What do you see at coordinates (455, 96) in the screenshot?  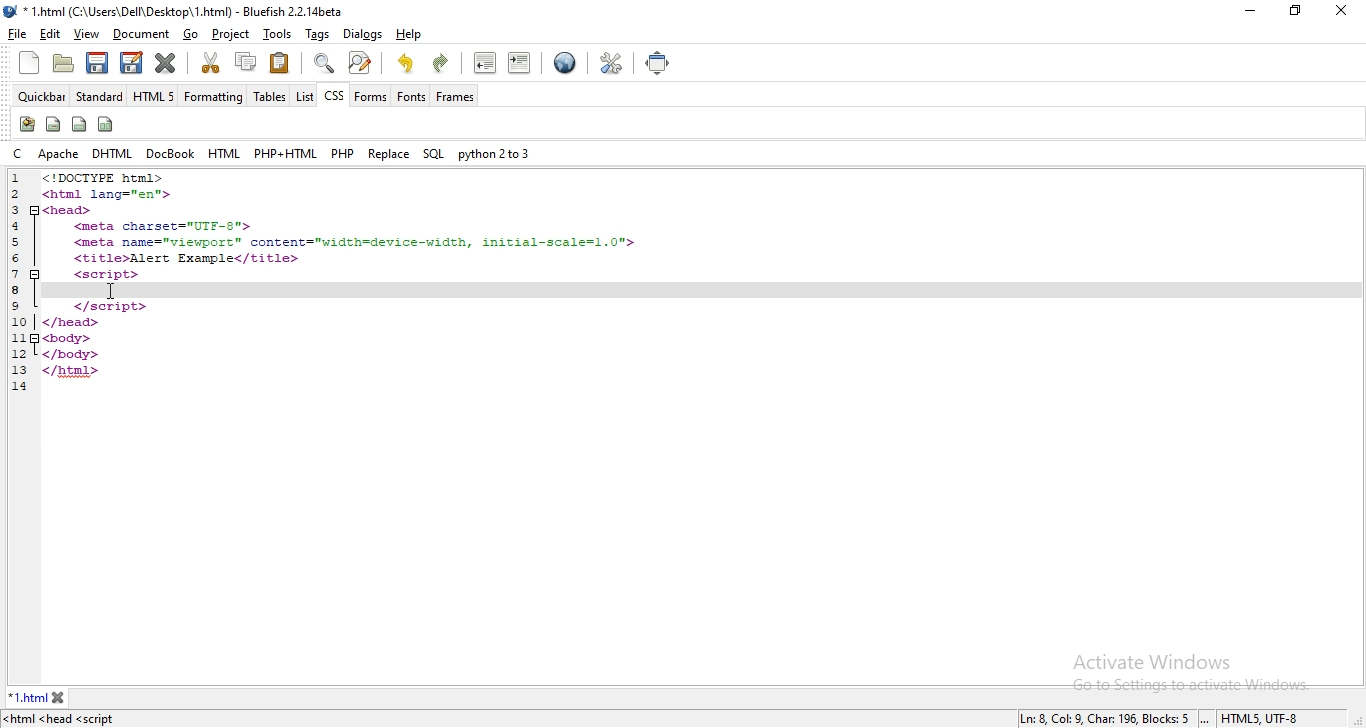 I see `frames` at bounding box center [455, 96].